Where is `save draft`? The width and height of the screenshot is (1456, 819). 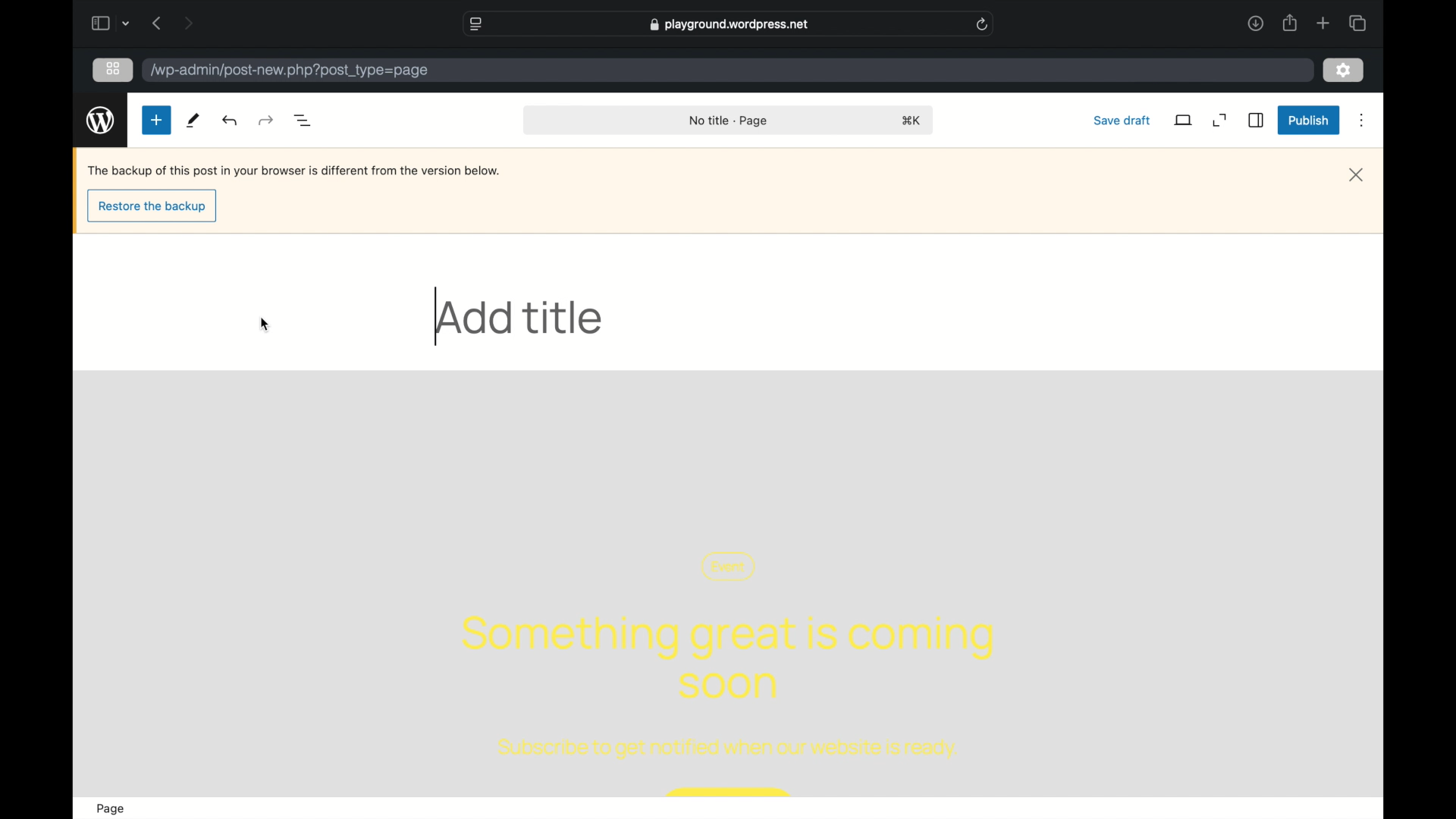 save draft is located at coordinates (1123, 120).